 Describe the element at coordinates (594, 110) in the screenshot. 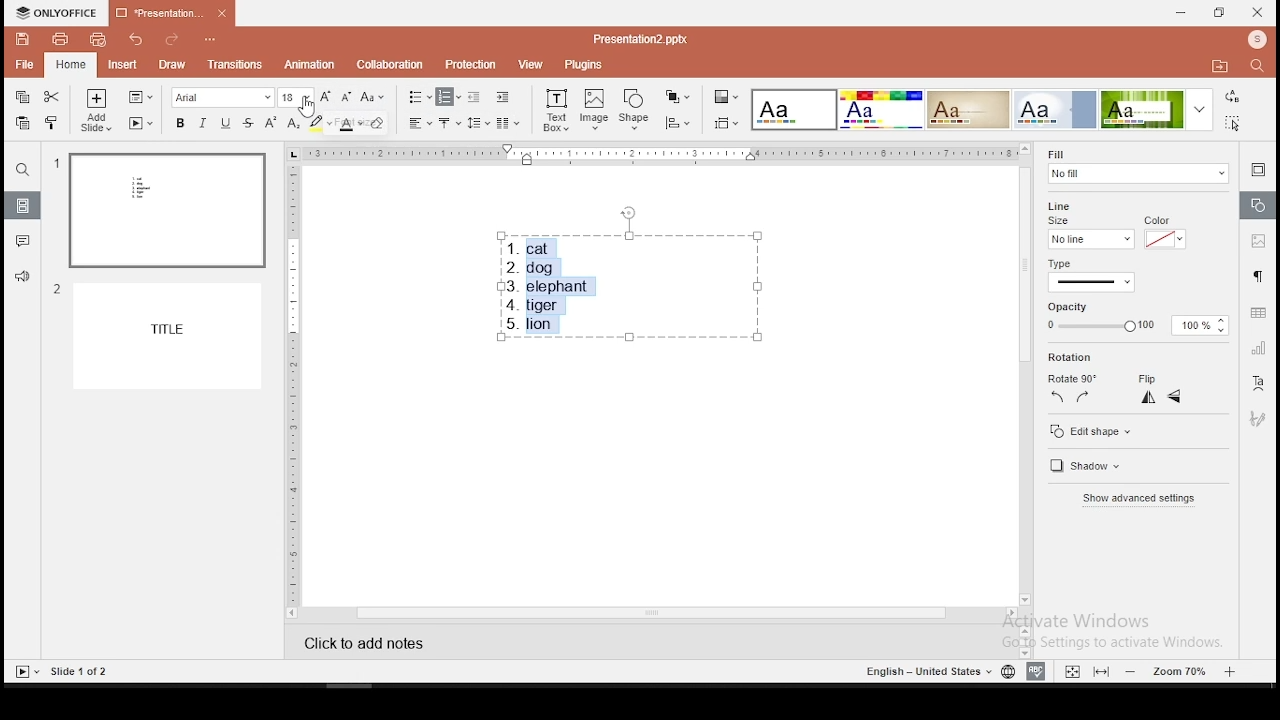

I see `image` at that location.